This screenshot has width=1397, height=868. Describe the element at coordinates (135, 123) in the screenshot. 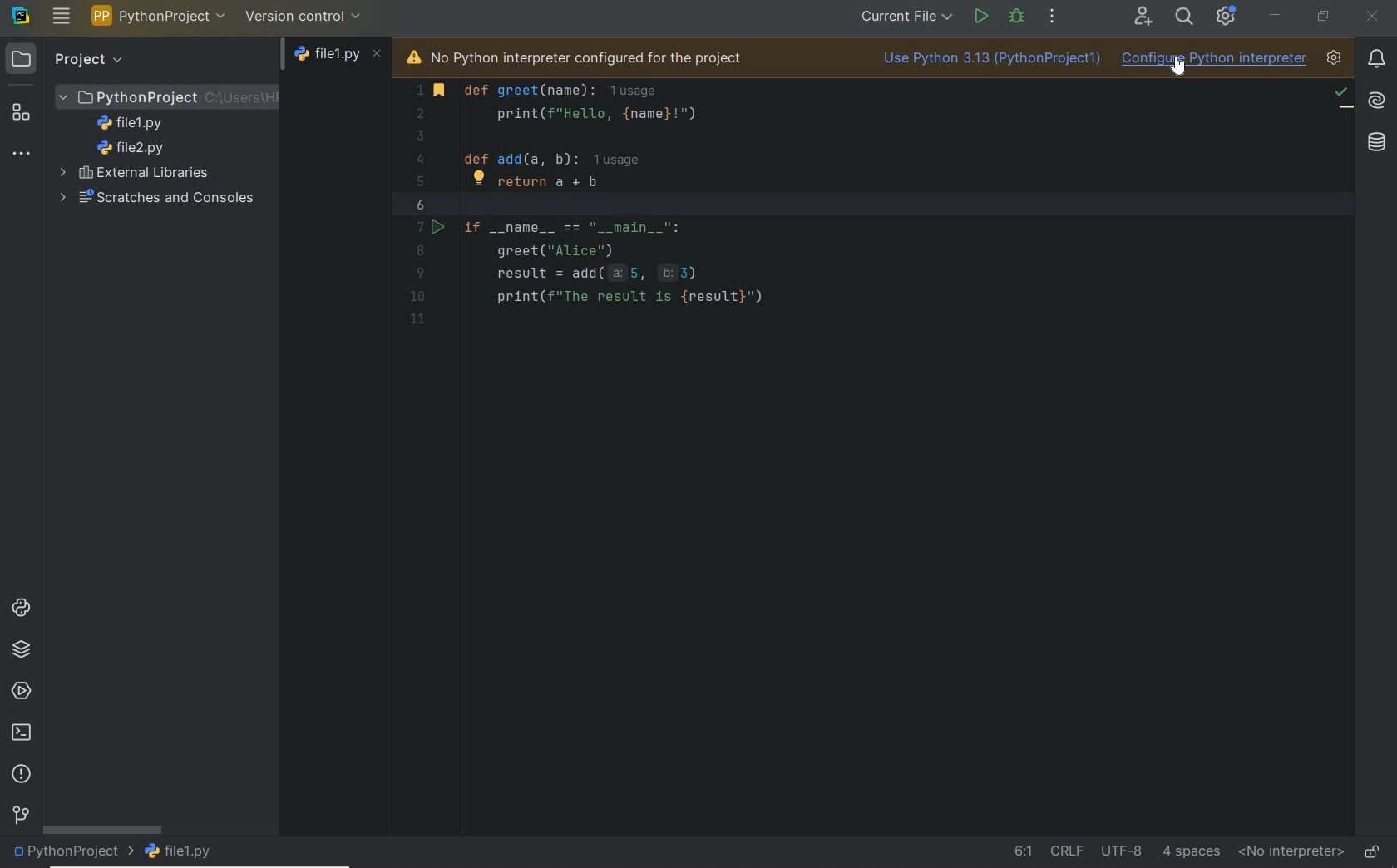

I see `file name 1` at that location.